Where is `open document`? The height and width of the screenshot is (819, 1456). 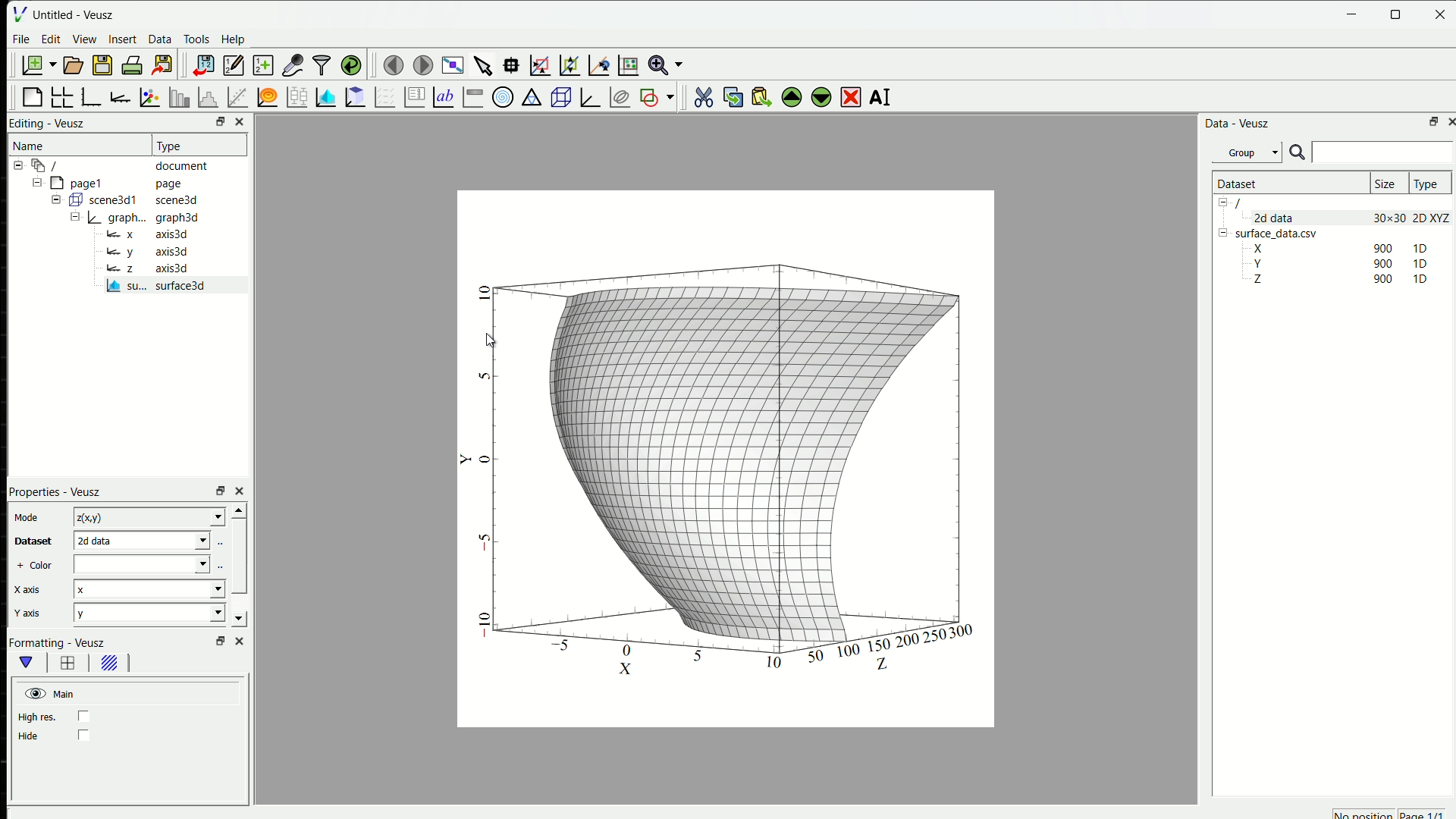 open document is located at coordinates (74, 65).